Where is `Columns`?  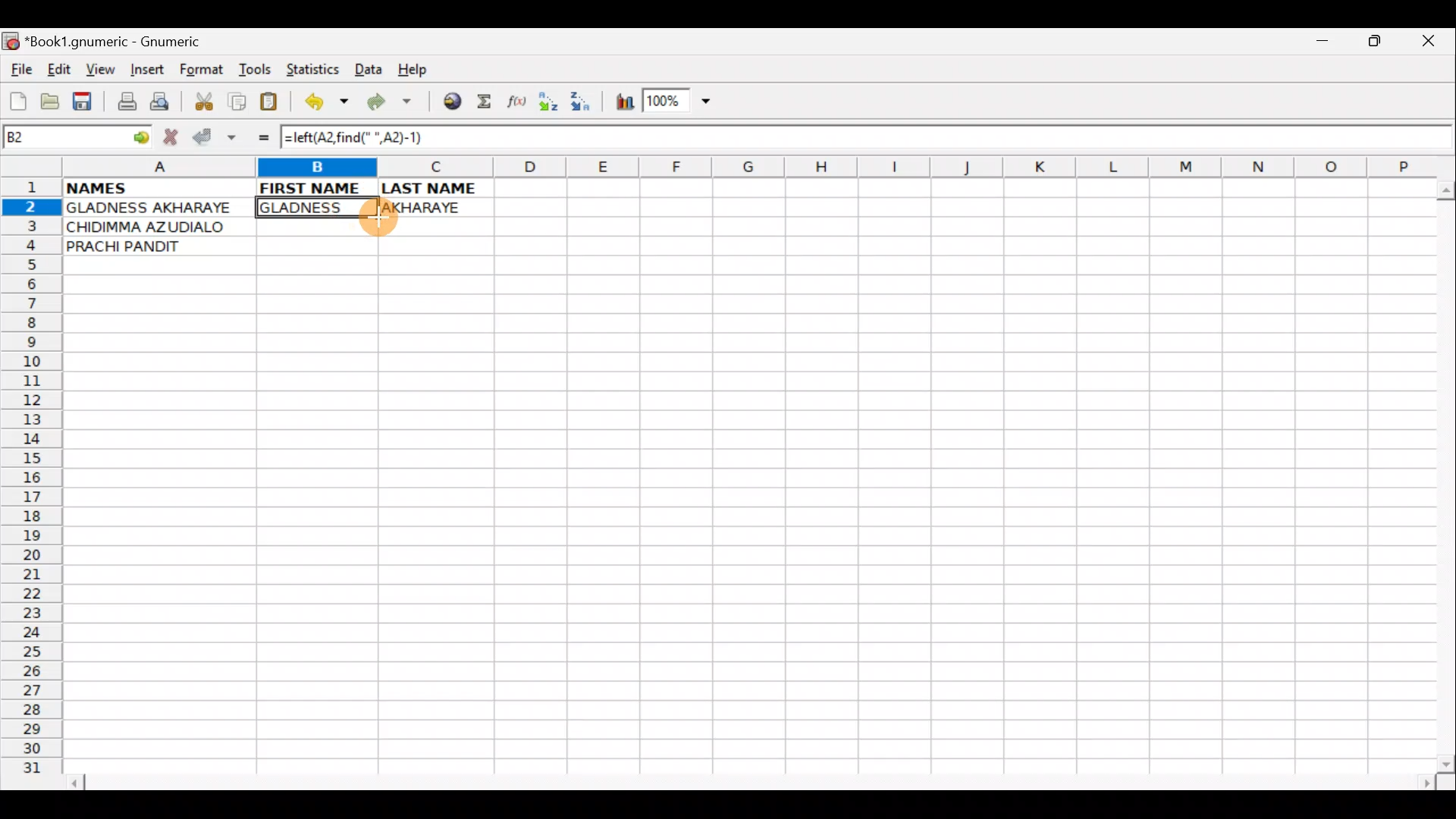 Columns is located at coordinates (741, 168).